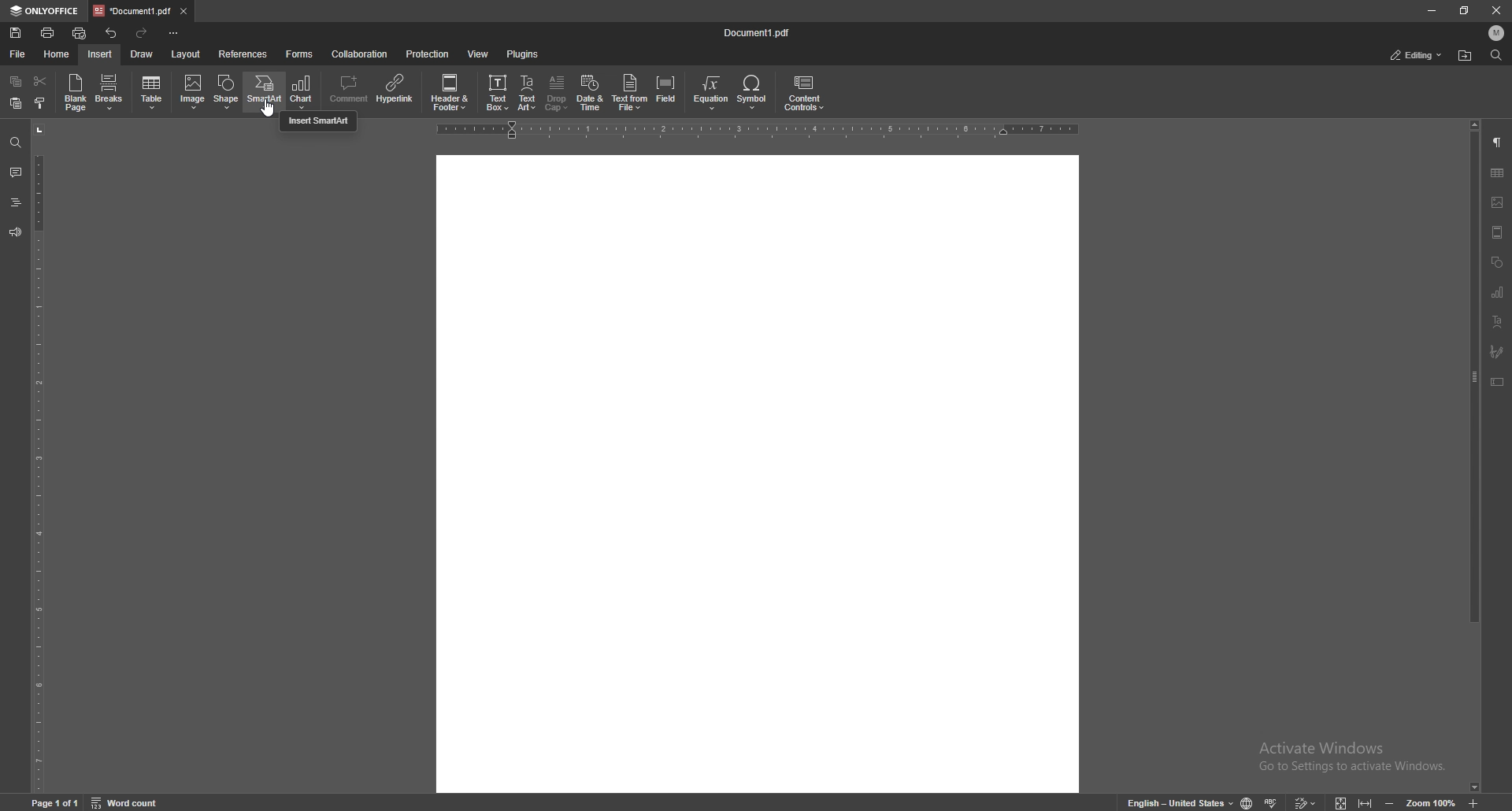 Image resolution: width=1512 pixels, height=811 pixels. What do you see at coordinates (1497, 33) in the screenshot?
I see `profile` at bounding box center [1497, 33].